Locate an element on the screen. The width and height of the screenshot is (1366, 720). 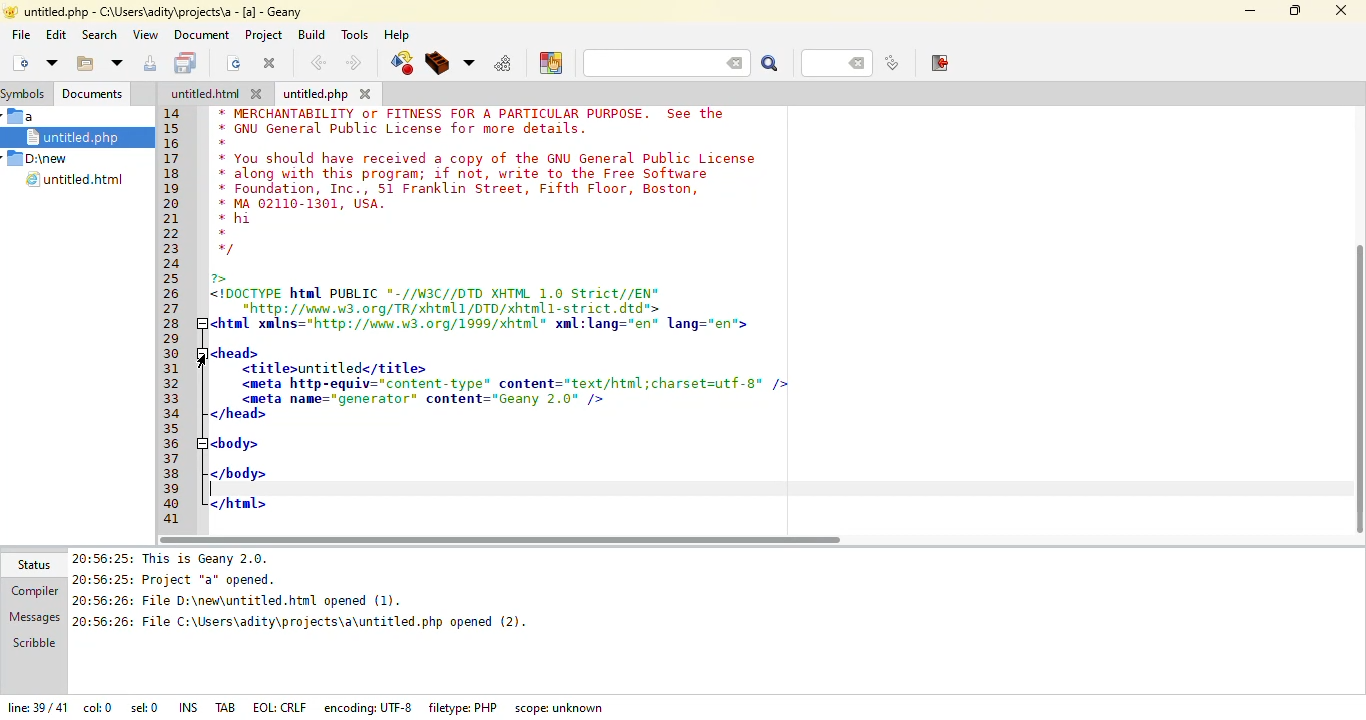
status is located at coordinates (36, 567).